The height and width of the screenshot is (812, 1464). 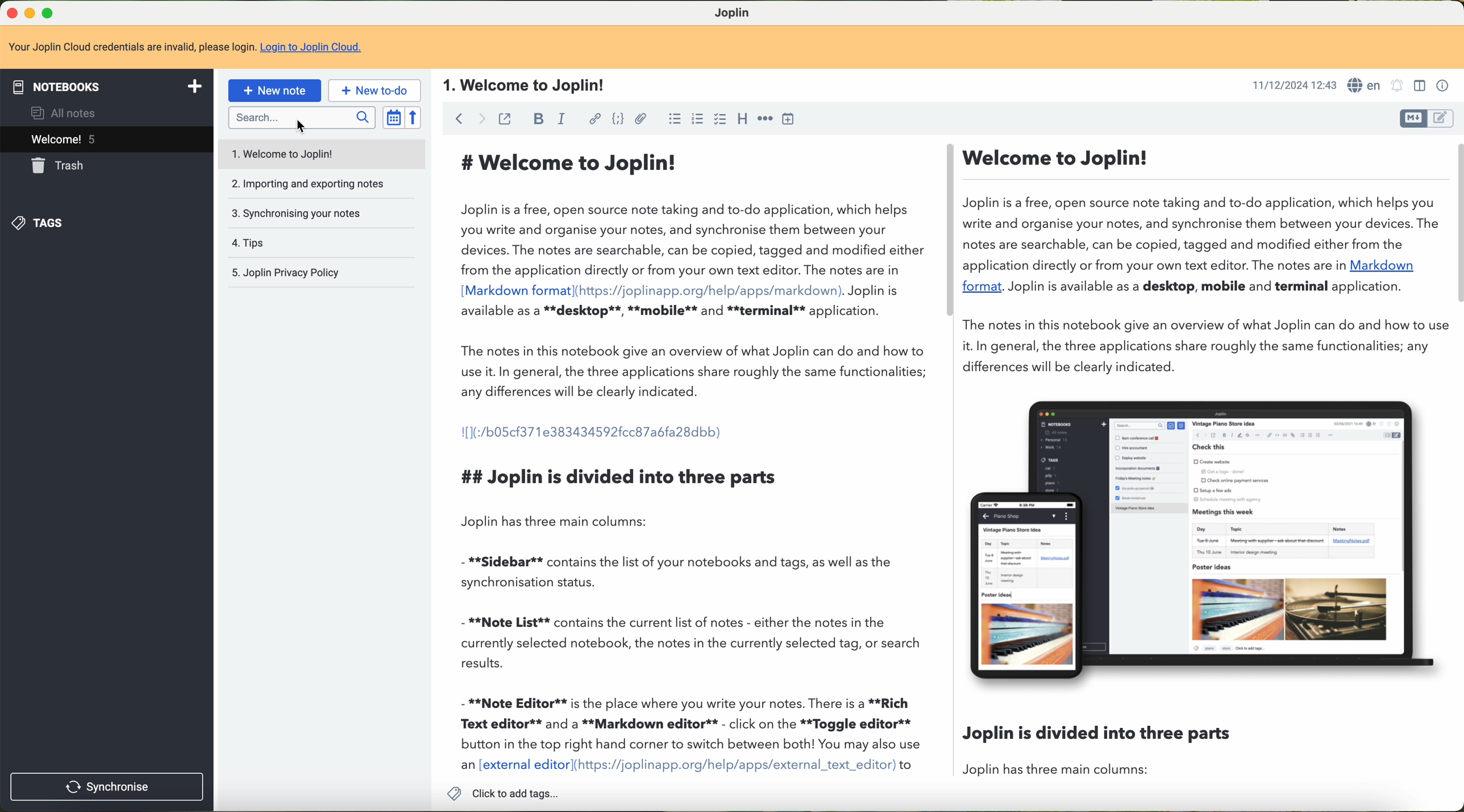 I want to click on Joplin privacy policy, so click(x=321, y=272).